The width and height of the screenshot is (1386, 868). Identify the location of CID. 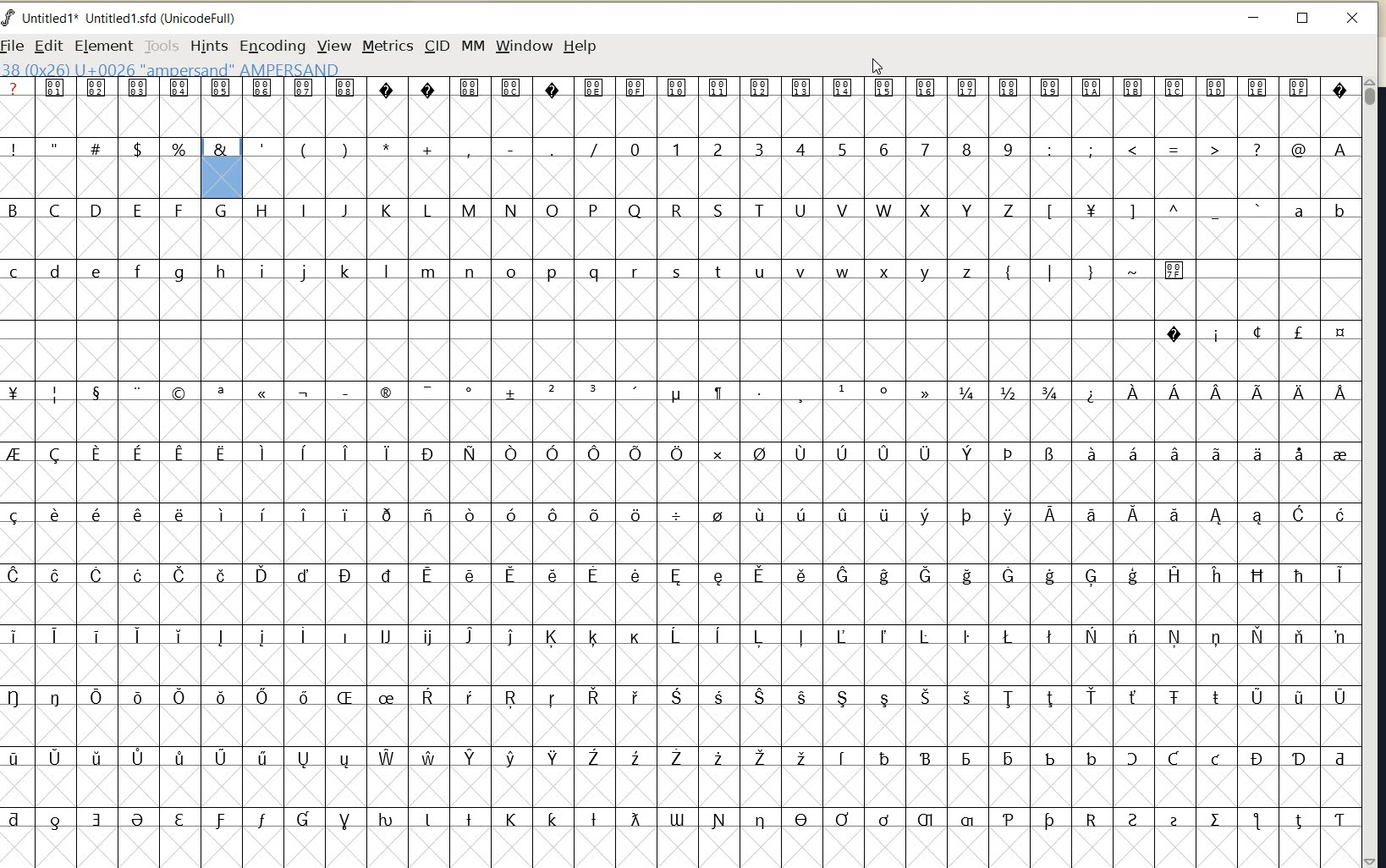
(435, 45).